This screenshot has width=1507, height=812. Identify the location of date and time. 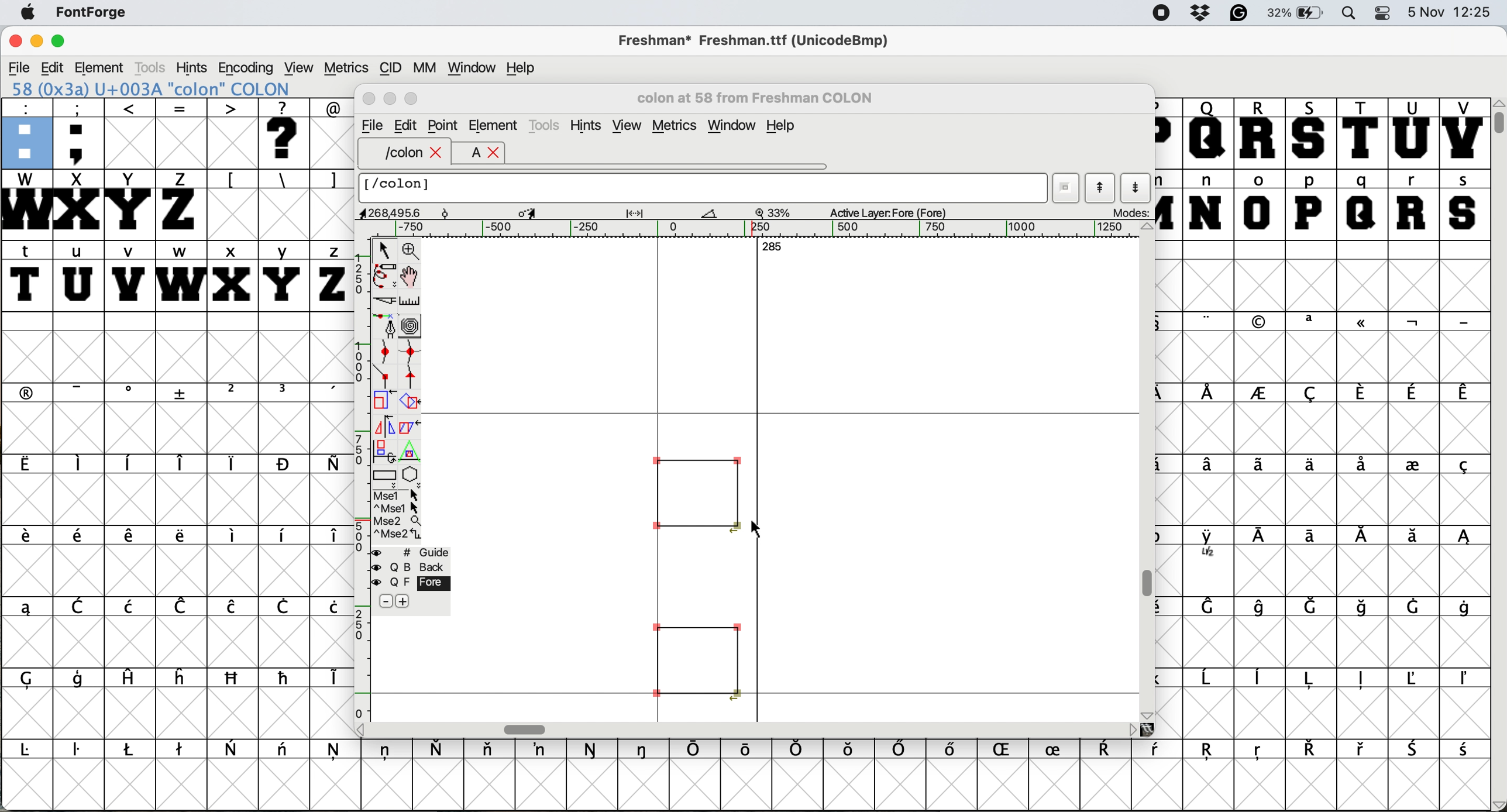
(1452, 12).